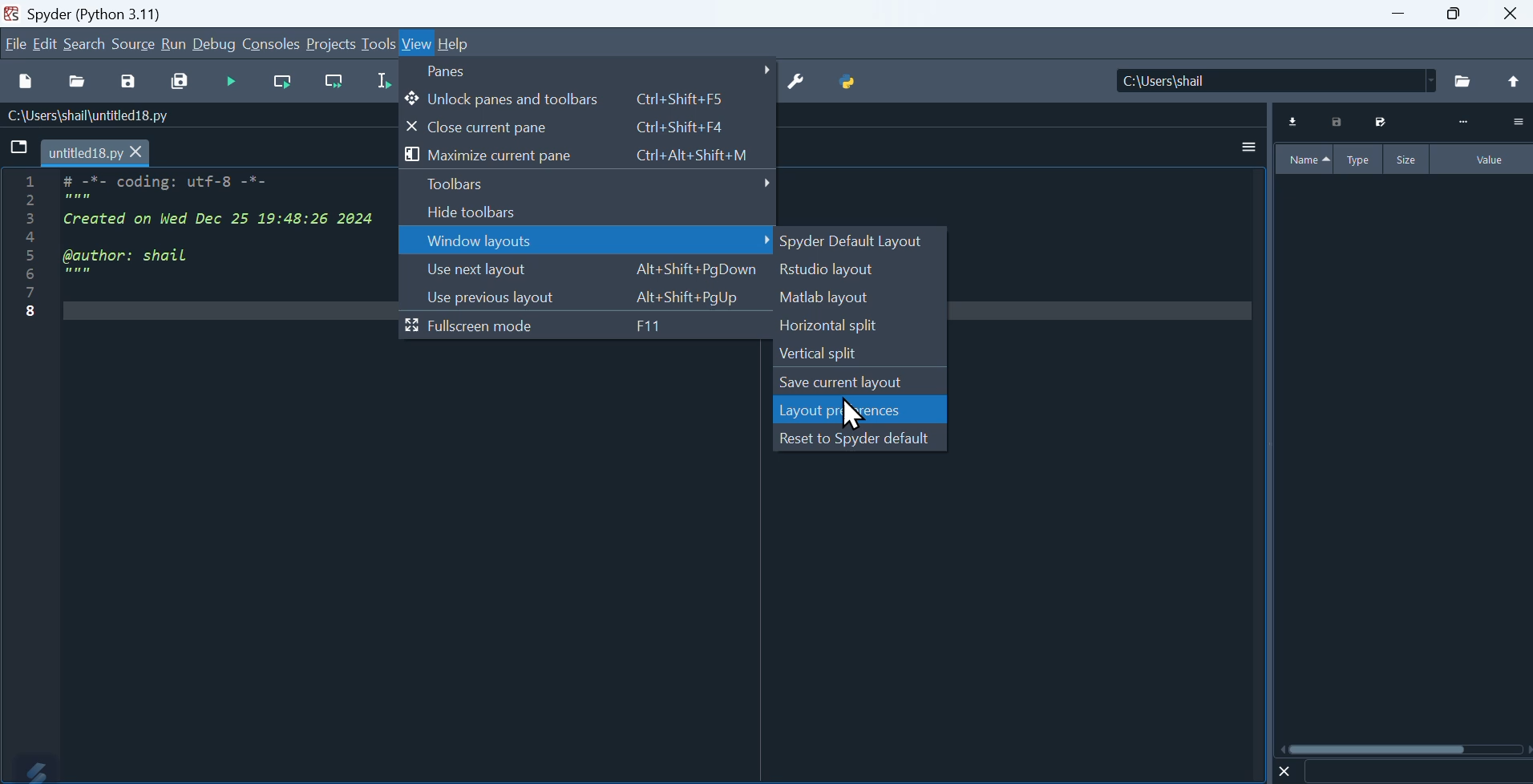  Describe the element at coordinates (47, 43) in the screenshot. I see `Edit` at that location.